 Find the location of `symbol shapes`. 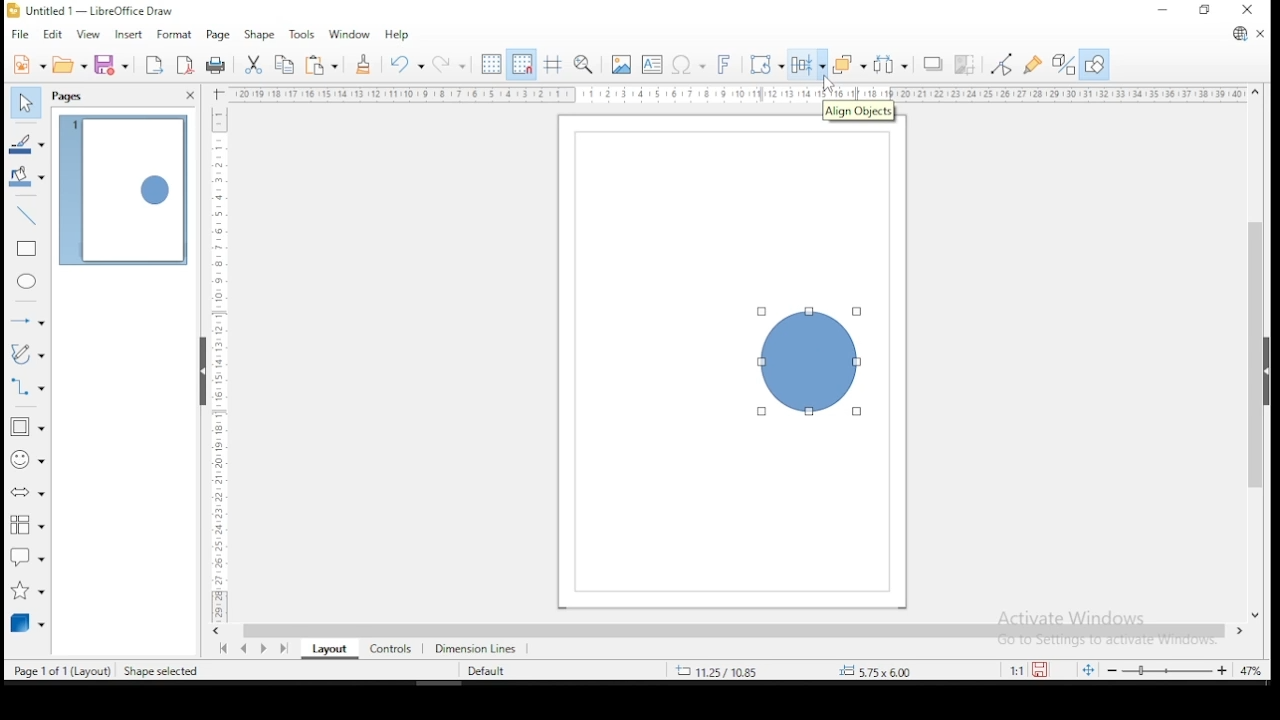

symbol shapes is located at coordinates (27, 459).